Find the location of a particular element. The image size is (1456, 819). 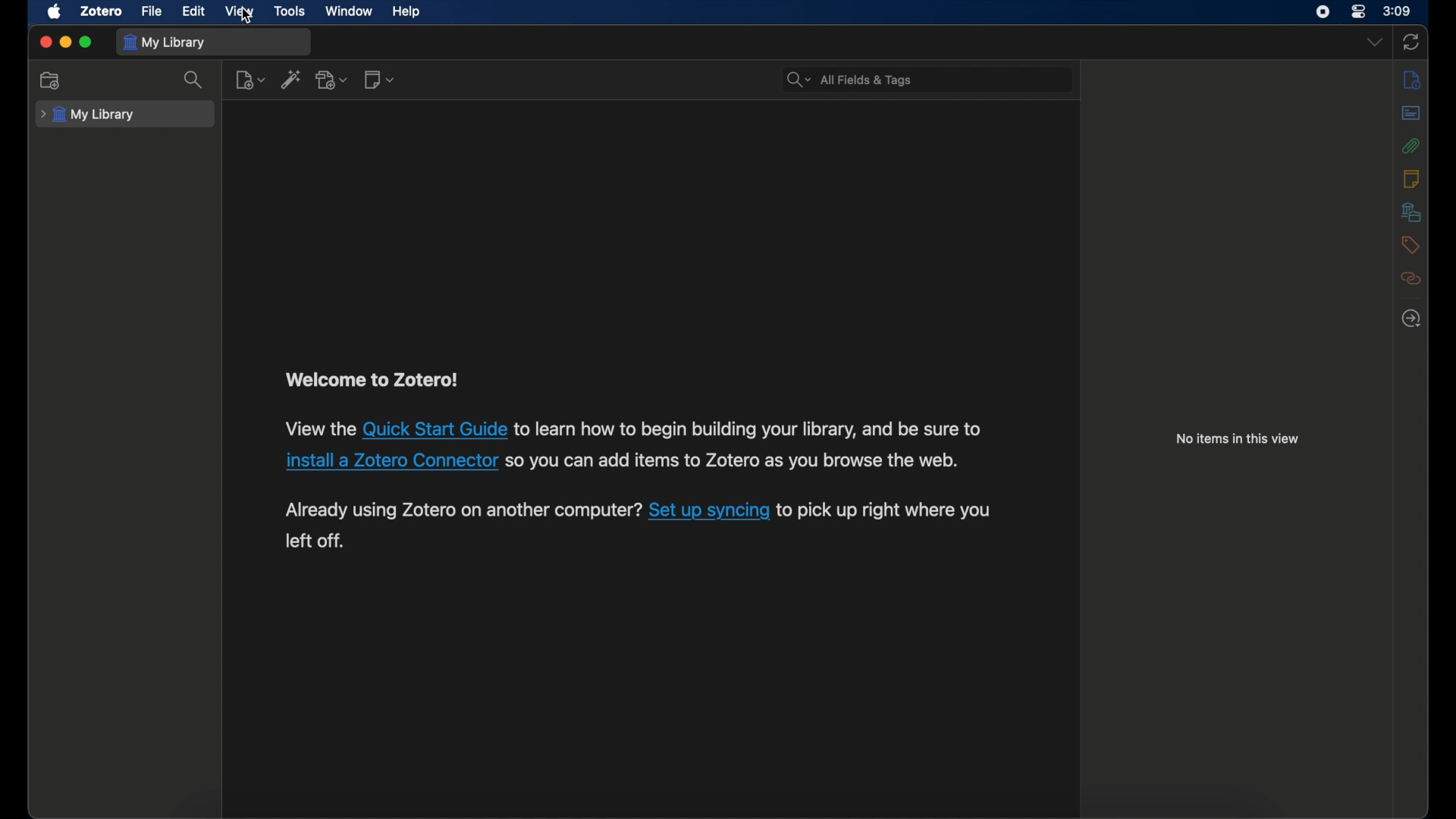

my library is located at coordinates (165, 42).